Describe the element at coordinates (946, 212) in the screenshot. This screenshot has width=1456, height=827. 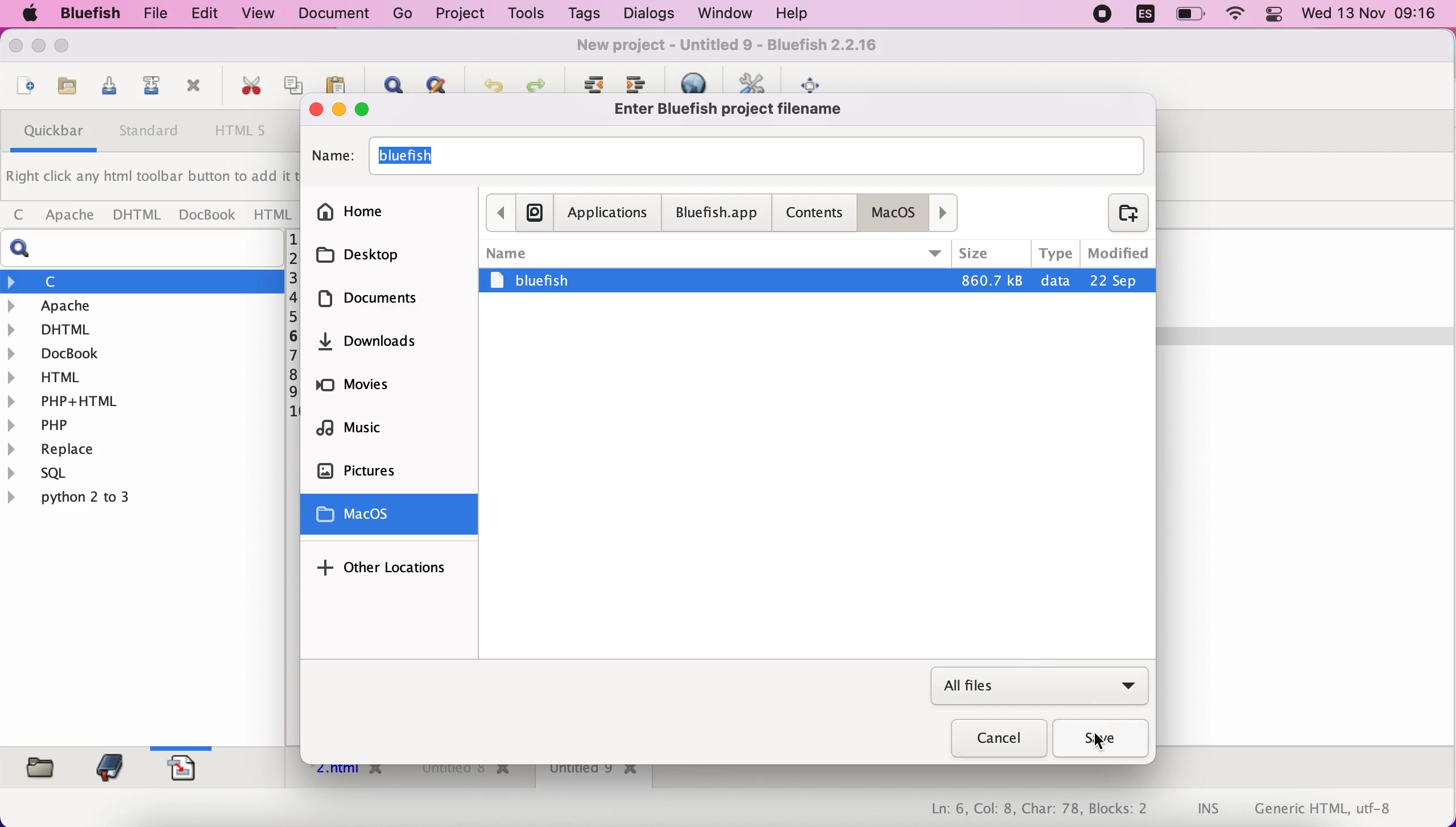
I see `forward` at that location.